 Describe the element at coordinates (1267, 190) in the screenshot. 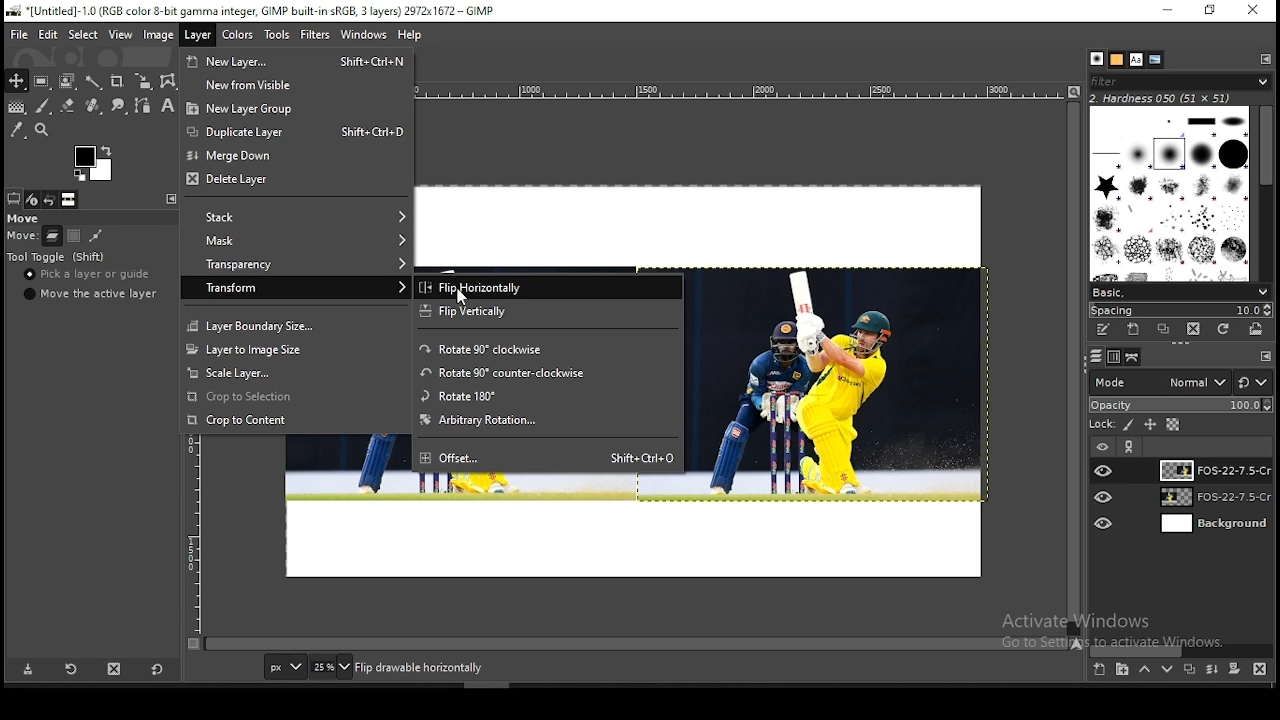

I see `Scroll bar` at that location.